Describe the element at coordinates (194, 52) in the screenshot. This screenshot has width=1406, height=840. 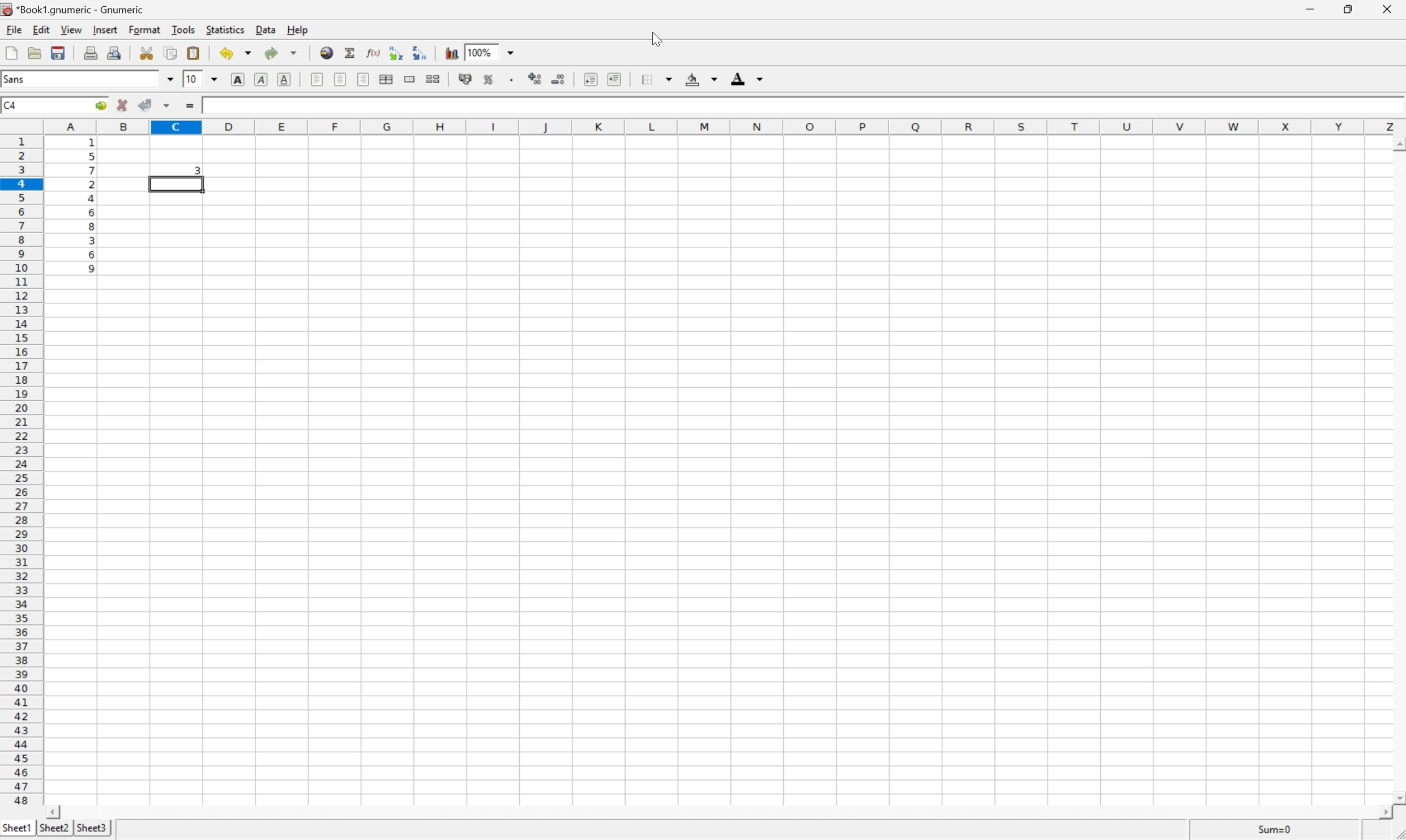
I see `paste` at that location.